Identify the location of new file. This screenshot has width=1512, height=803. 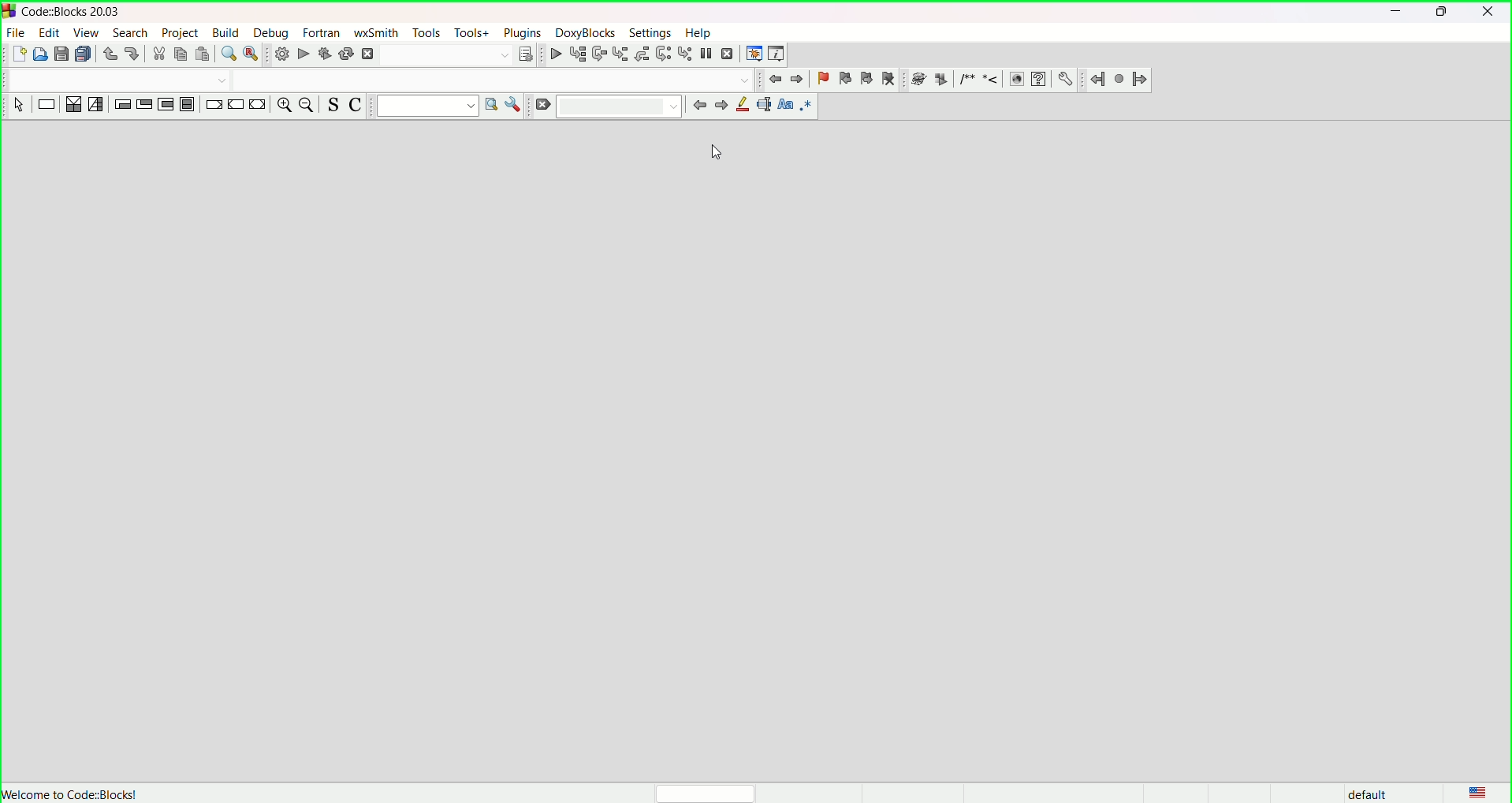
(18, 55).